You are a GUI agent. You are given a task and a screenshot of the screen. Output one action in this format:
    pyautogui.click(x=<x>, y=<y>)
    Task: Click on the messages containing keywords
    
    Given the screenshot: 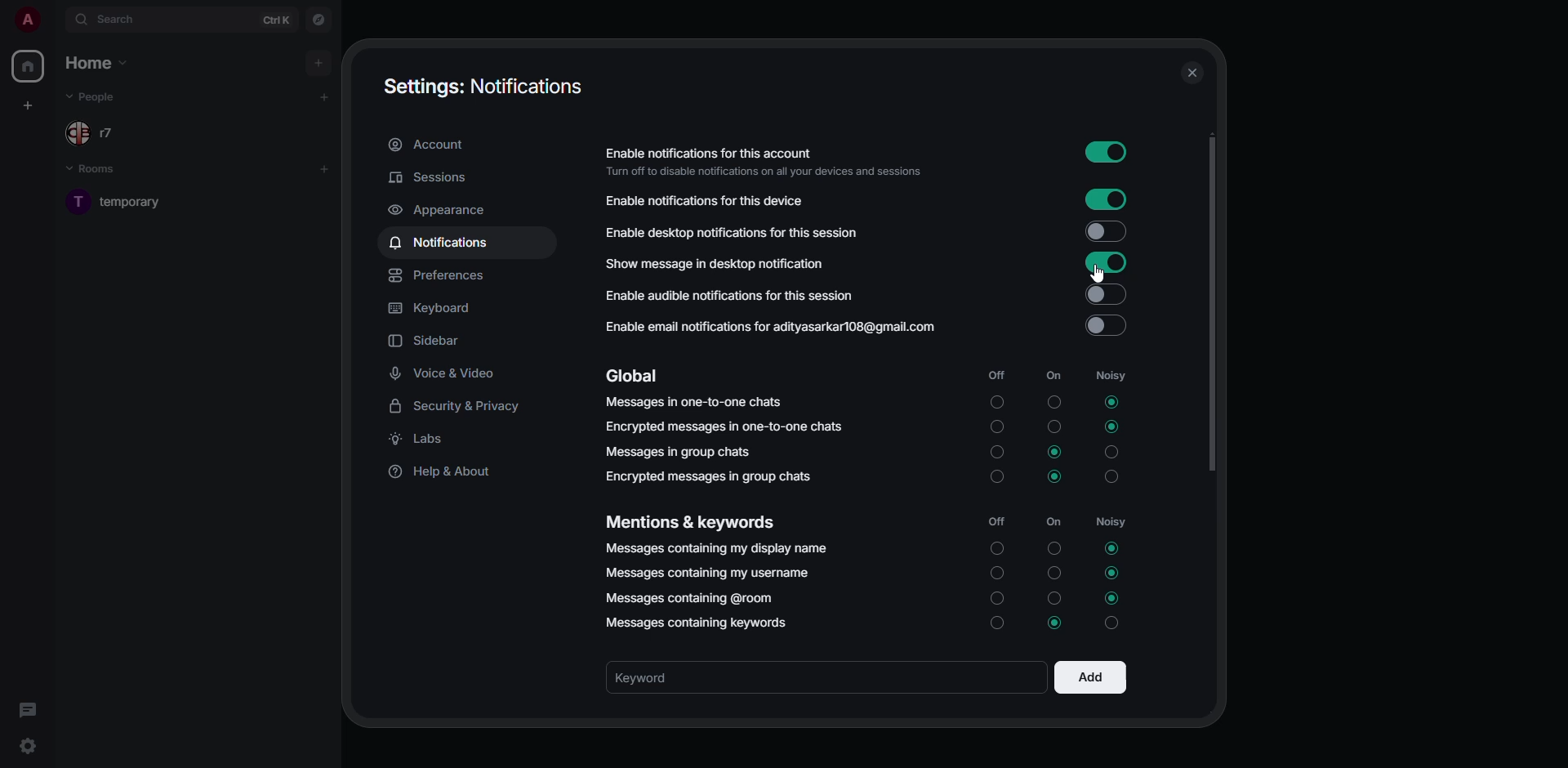 What is the action you would take?
    pyautogui.click(x=702, y=624)
    